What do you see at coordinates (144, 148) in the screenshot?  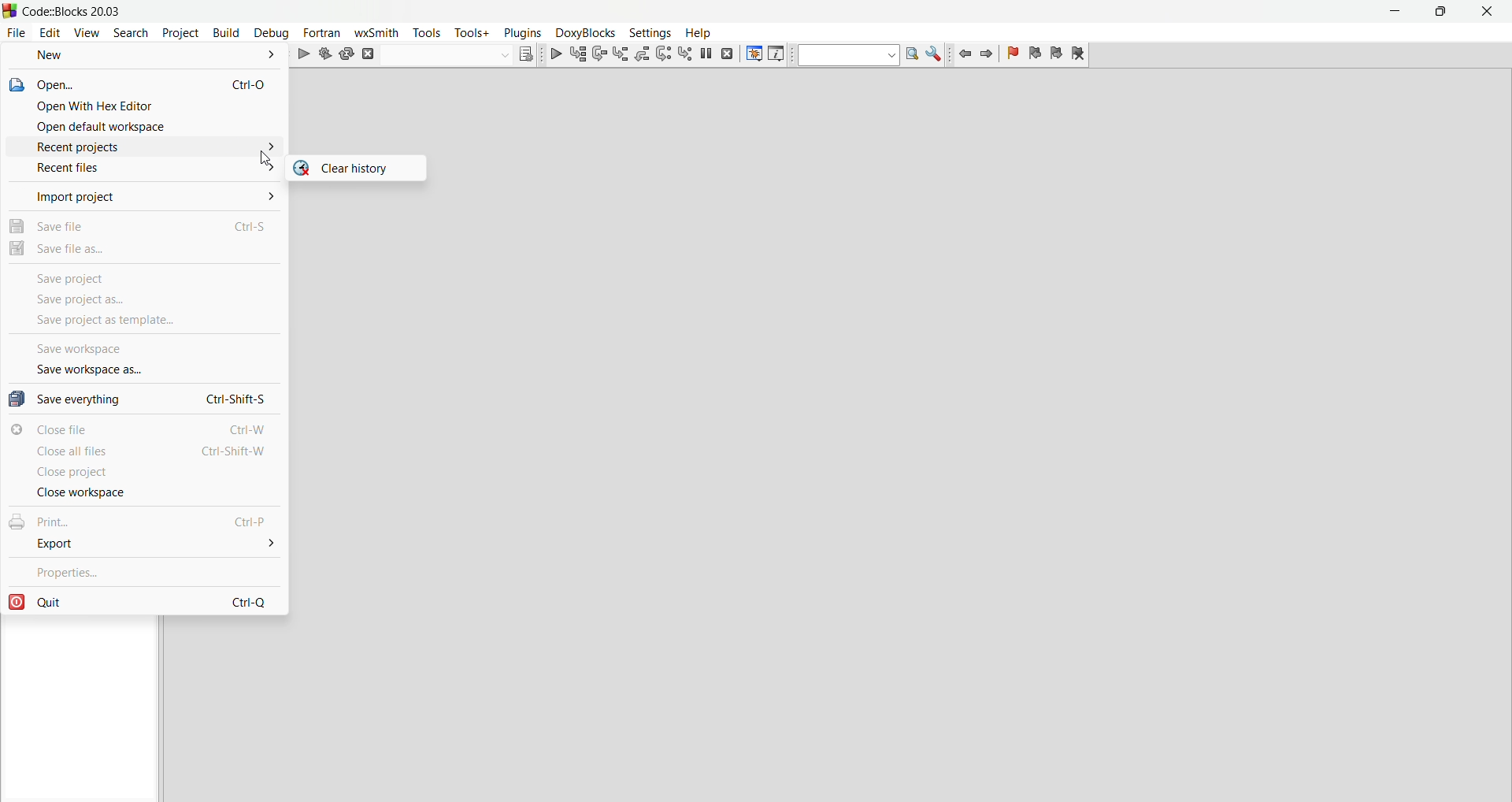 I see `recent projects` at bounding box center [144, 148].